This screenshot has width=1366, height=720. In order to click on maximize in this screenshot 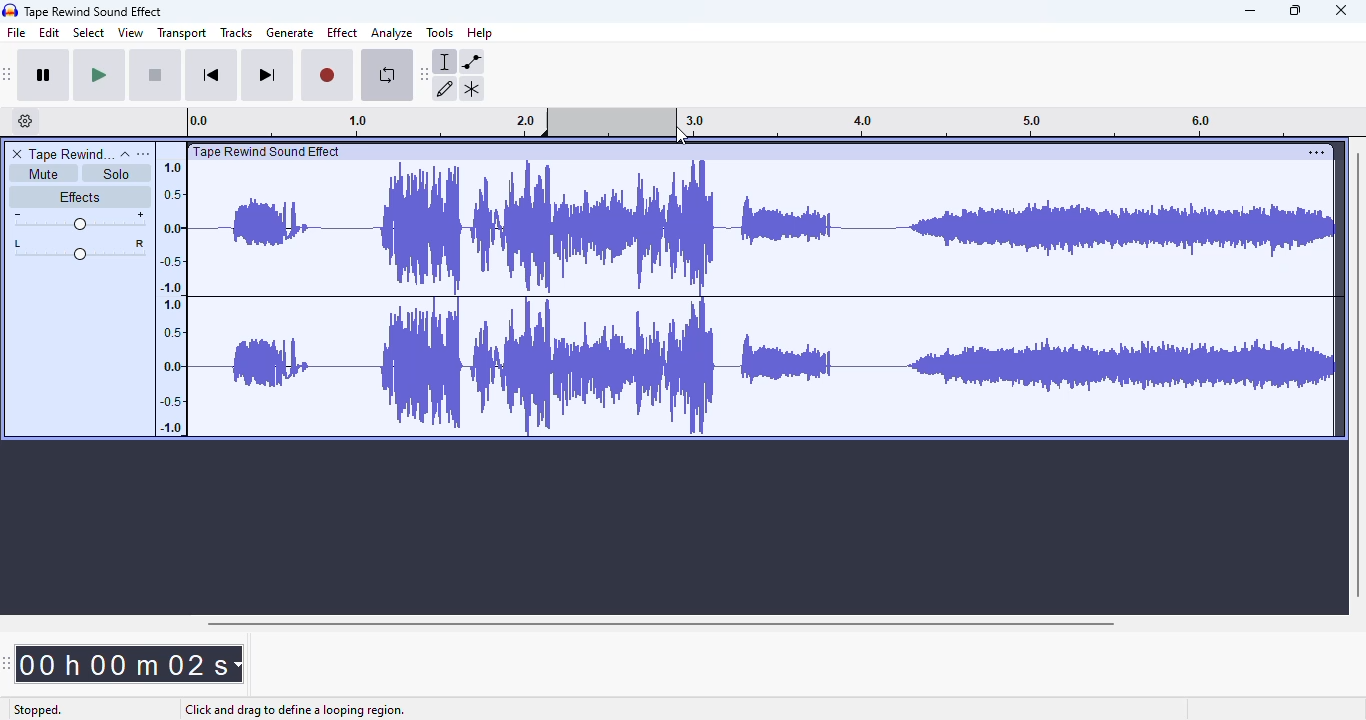, I will do `click(1297, 10)`.